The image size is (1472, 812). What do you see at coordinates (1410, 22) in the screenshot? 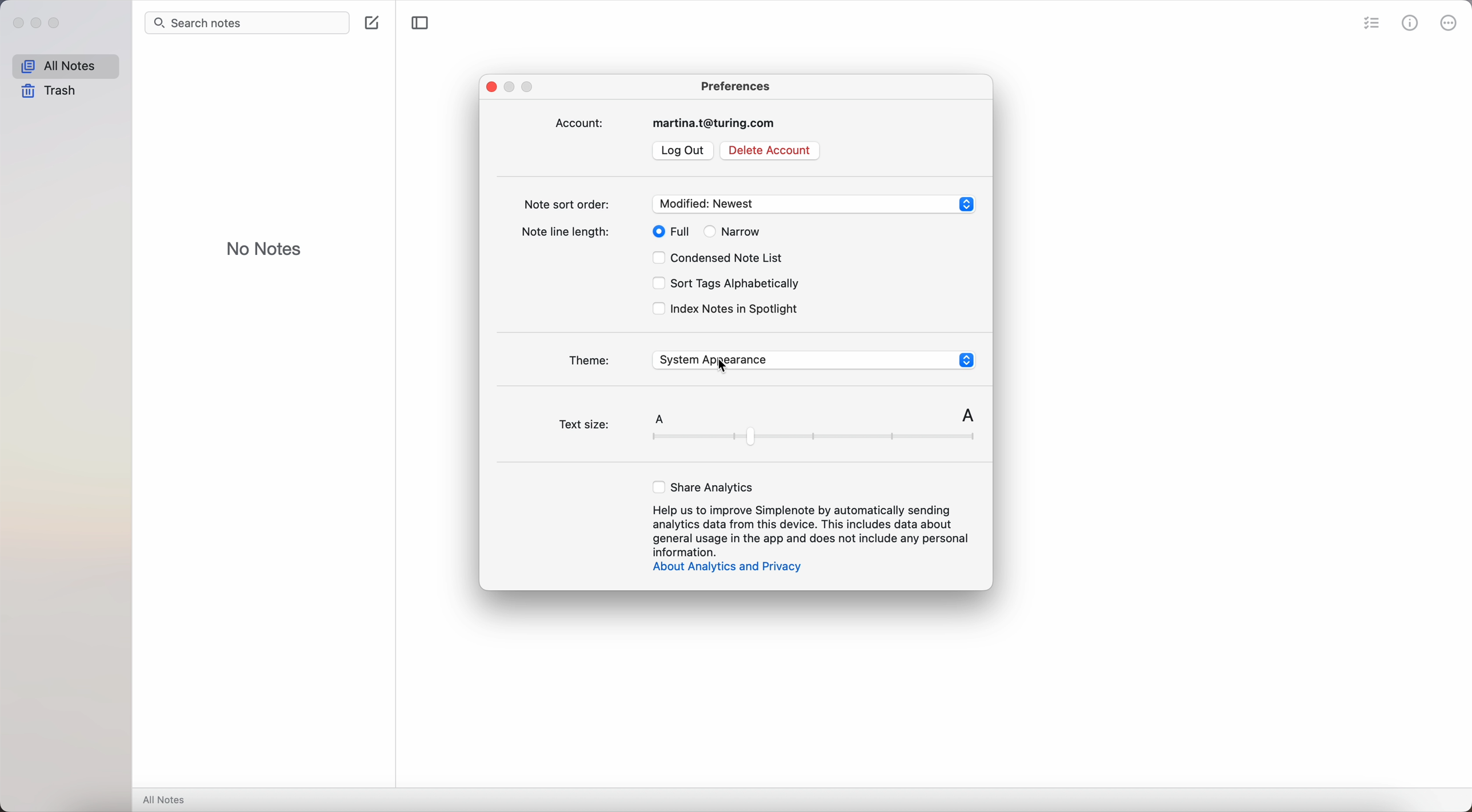
I see `metrics` at bounding box center [1410, 22].